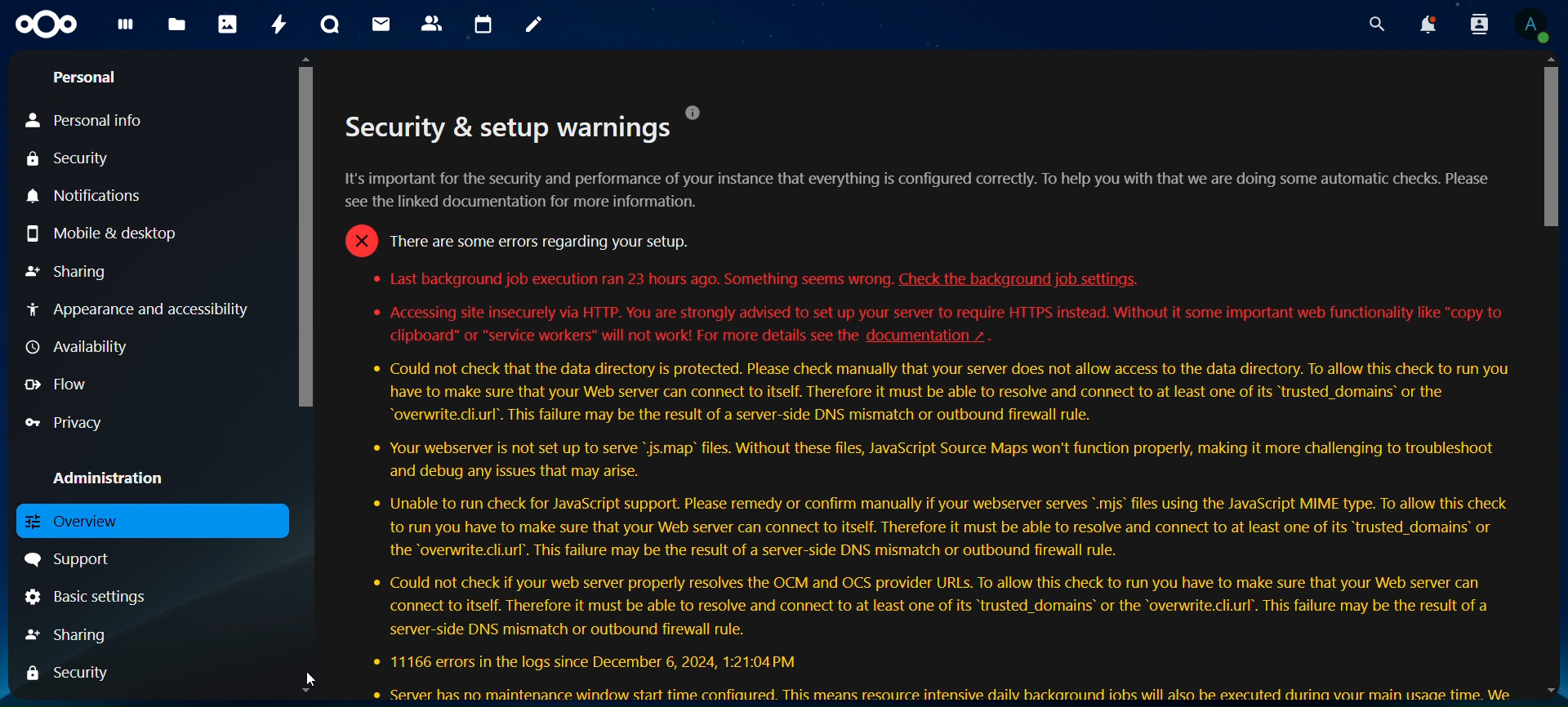 The width and height of the screenshot is (1568, 707). I want to click on icon, so click(48, 24).